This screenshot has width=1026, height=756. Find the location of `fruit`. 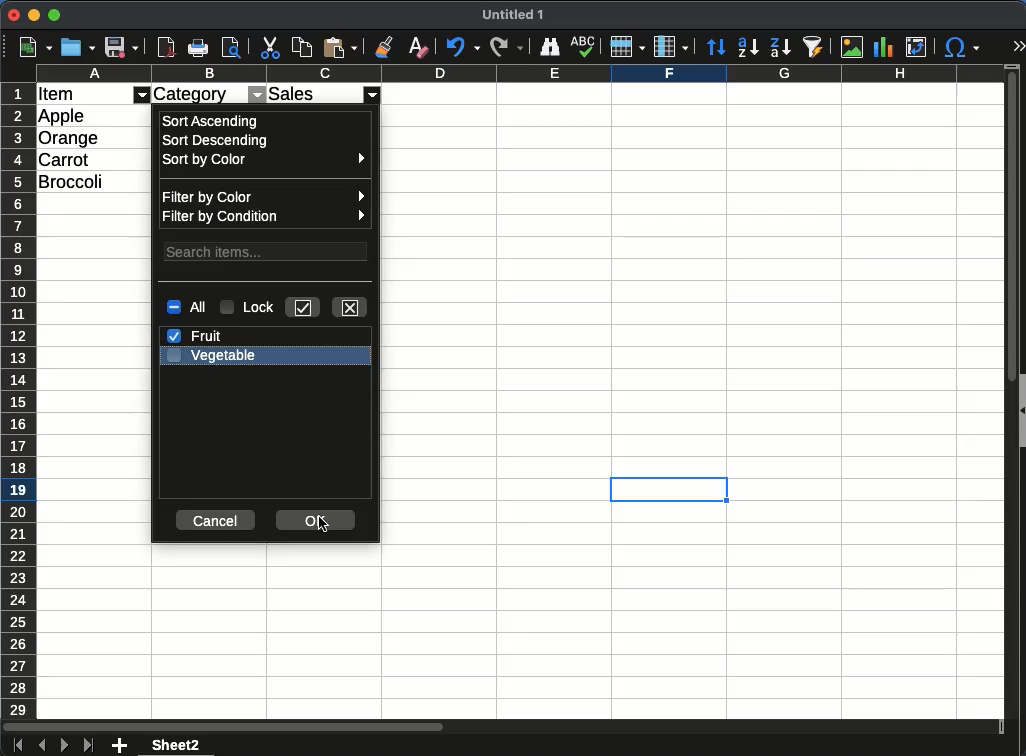

fruit is located at coordinates (197, 337).